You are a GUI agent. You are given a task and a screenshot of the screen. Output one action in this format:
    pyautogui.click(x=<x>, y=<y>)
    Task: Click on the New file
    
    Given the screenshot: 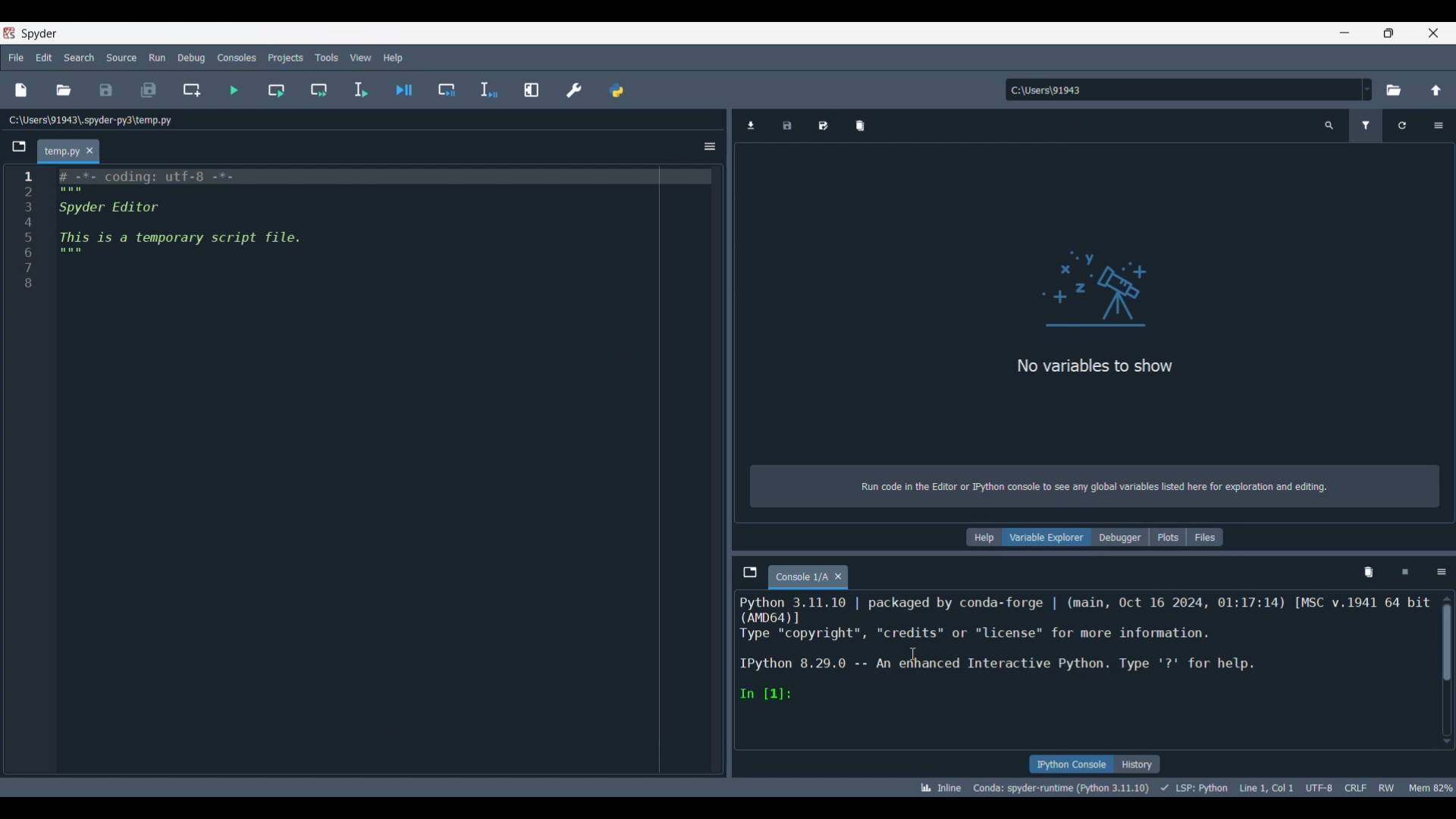 What is the action you would take?
    pyautogui.click(x=21, y=90)
    